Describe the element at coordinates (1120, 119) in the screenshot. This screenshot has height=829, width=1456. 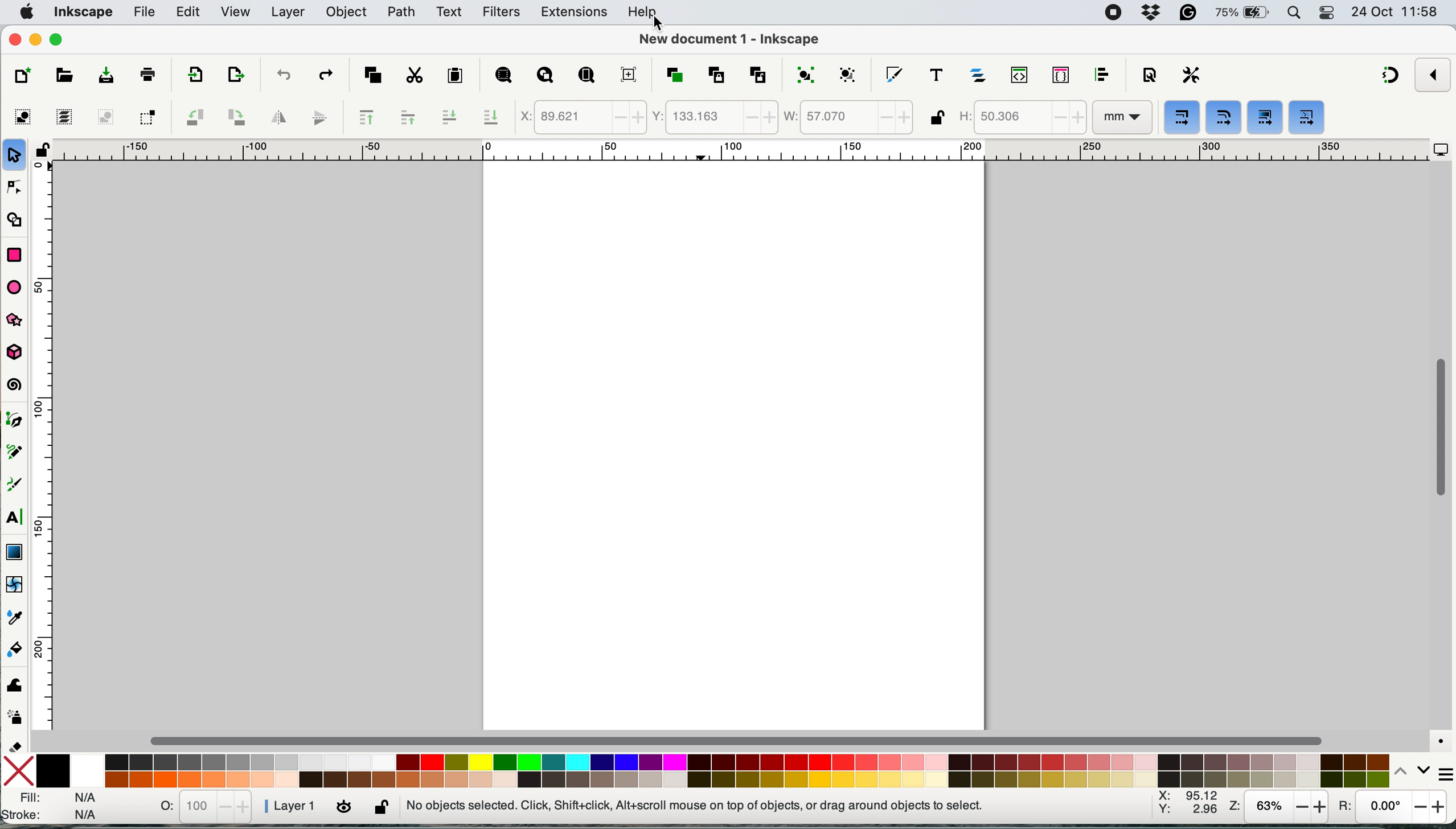
I see `mm` at that location.